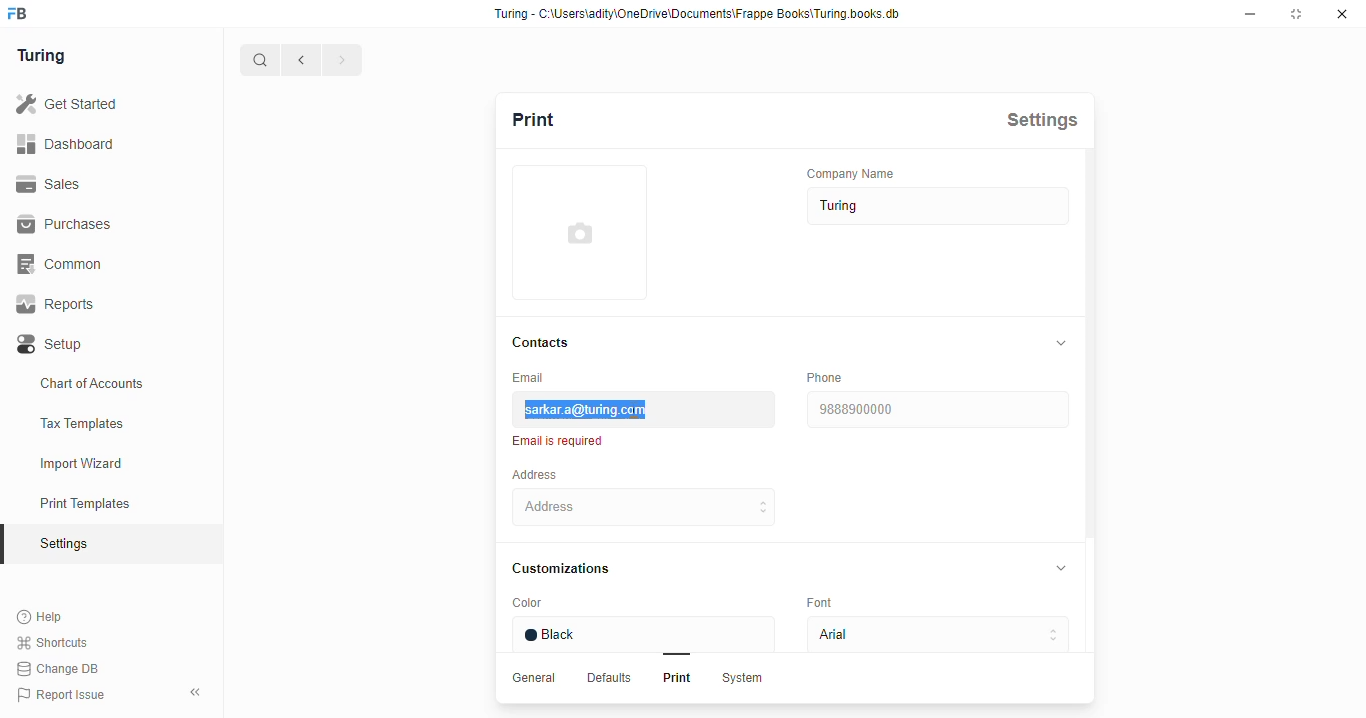  What do you see at coordinates (558, 118) in the screenshot?
I see `Print` at bounding box center [558, 118].